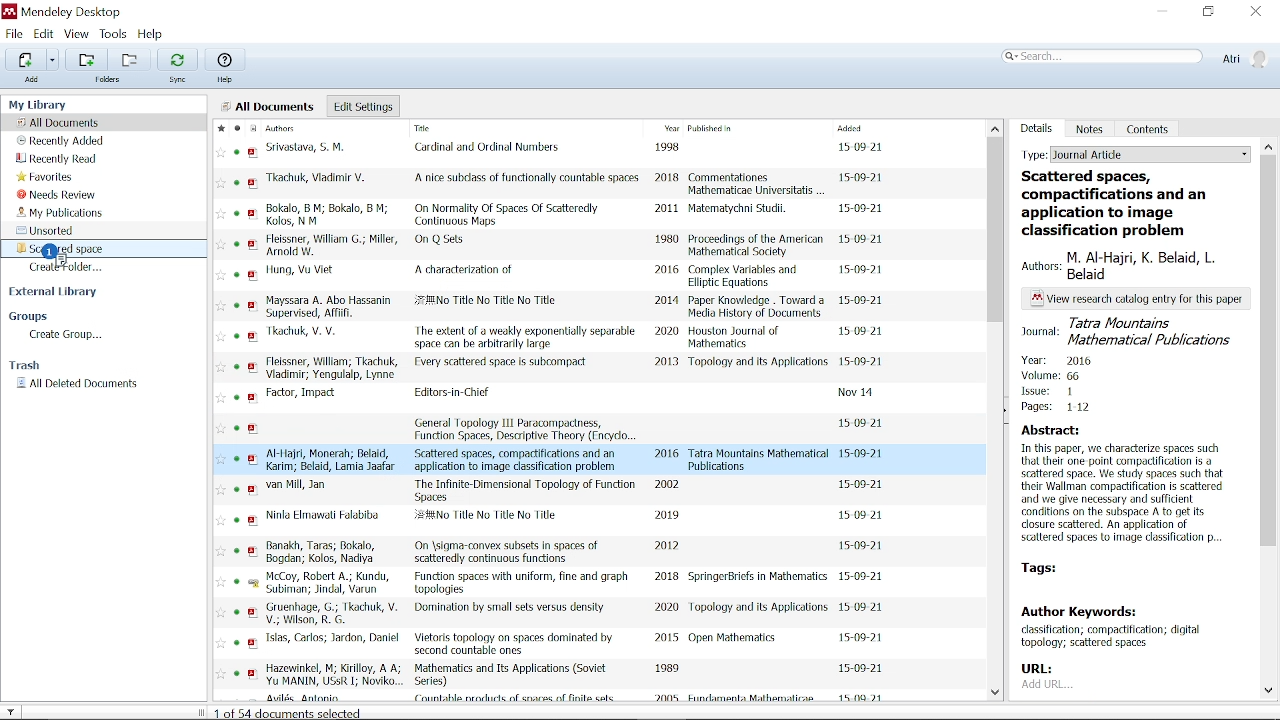 Image resolution: width=1280 pixels, height=720 pixels. What do you see at coordinates (61, 12) in the screenshot?
I see `Mendeley desktop` at bounding box center [61, 12].